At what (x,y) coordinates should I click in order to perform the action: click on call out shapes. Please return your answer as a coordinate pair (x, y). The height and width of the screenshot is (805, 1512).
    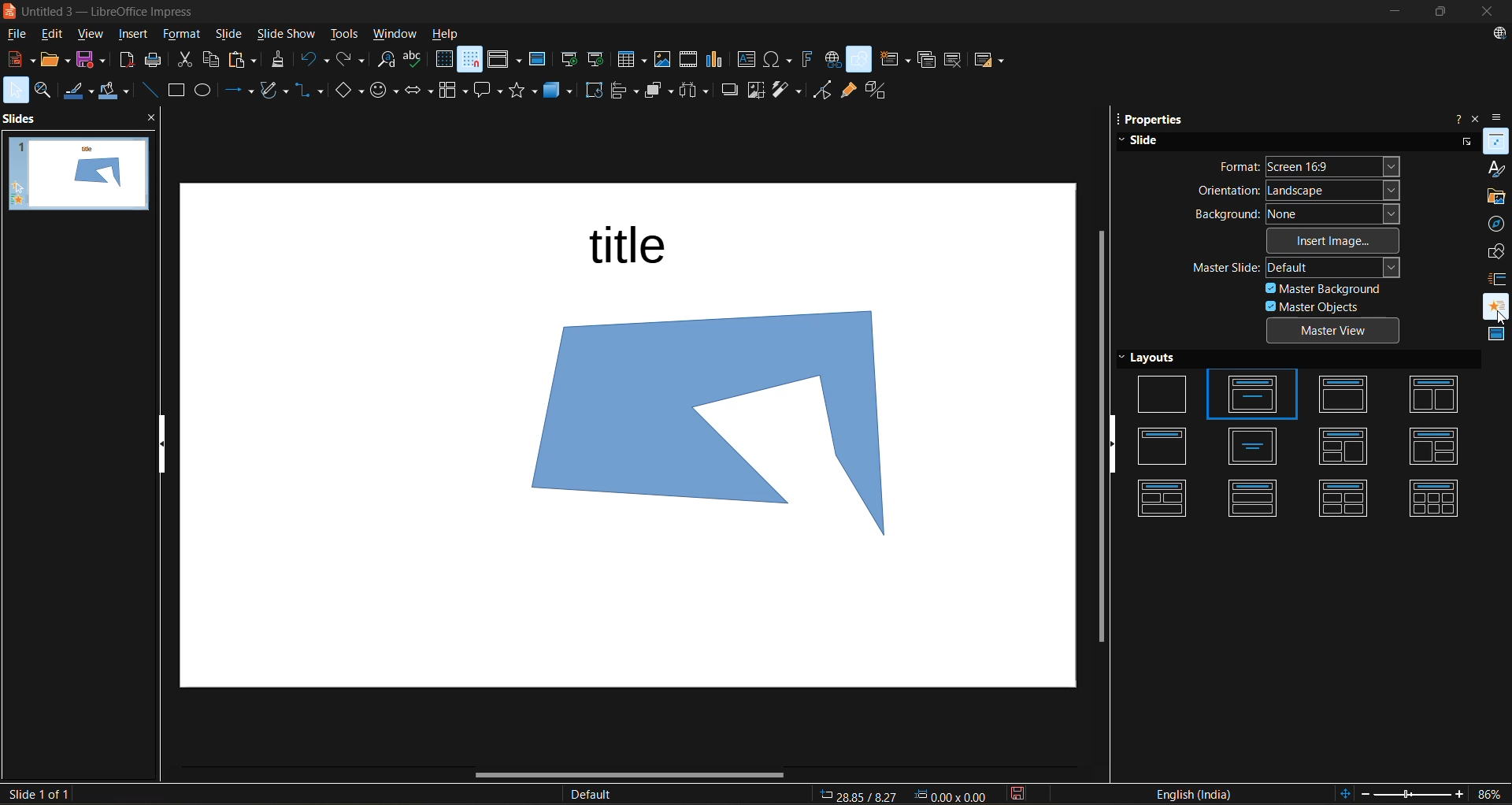
    Looking at the image, I should click on (491, 91).